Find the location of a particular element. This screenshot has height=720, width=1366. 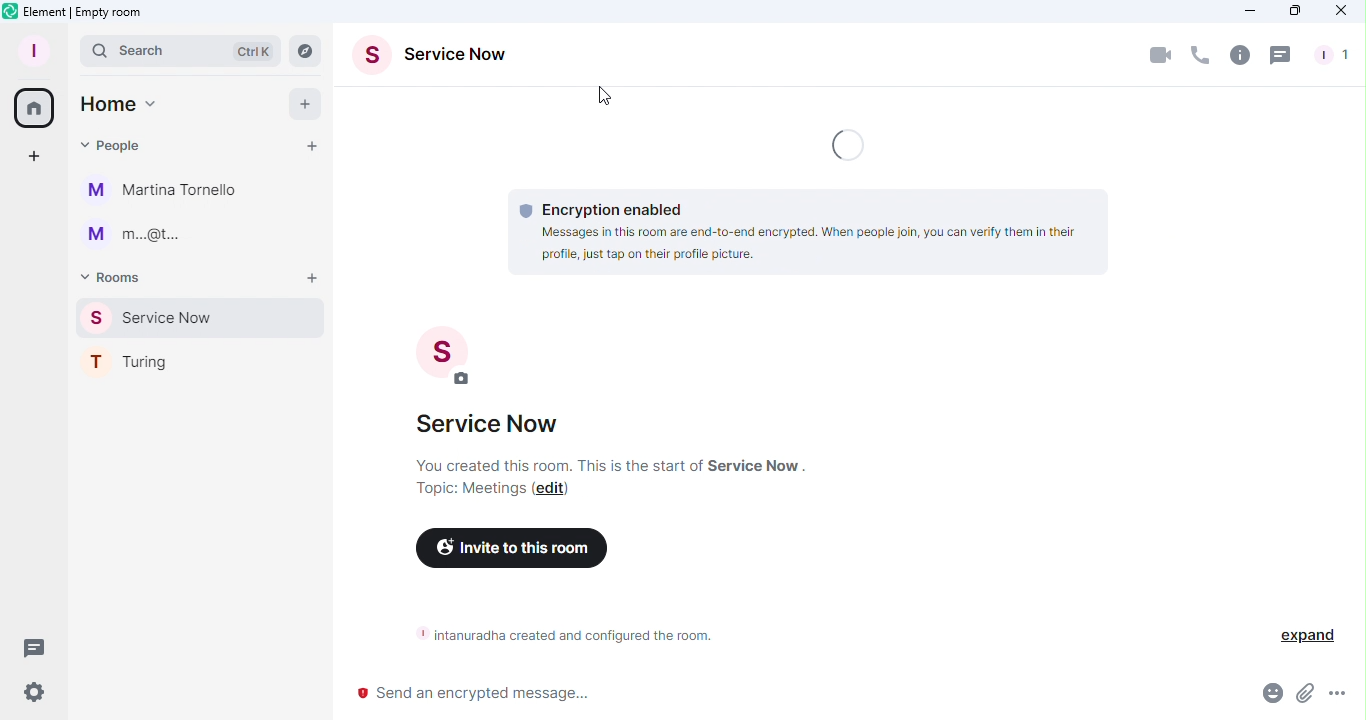

Threads is located at coordinates (1283, 55).